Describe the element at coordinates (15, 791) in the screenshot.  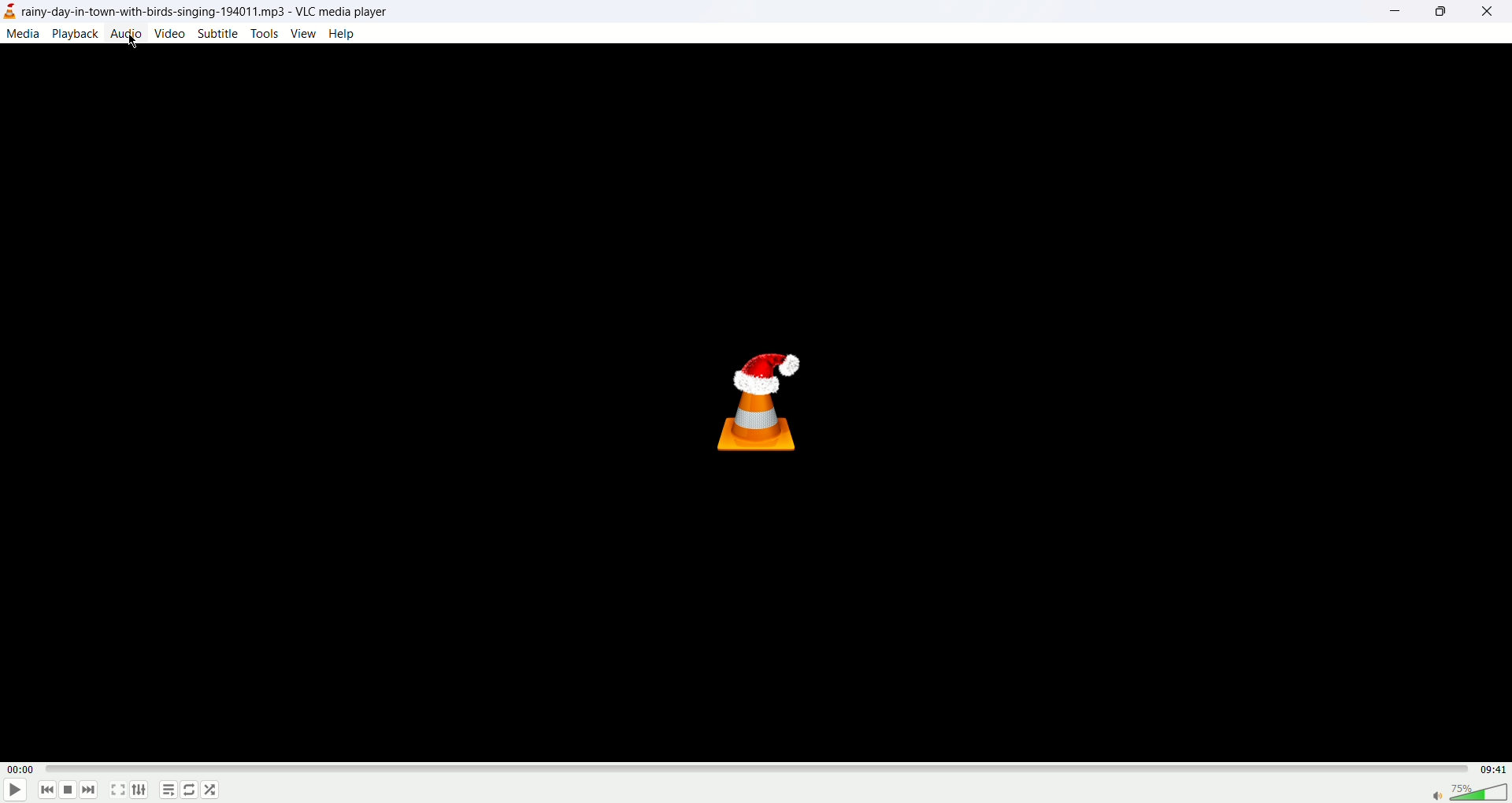
I see `play/pause` at that location.